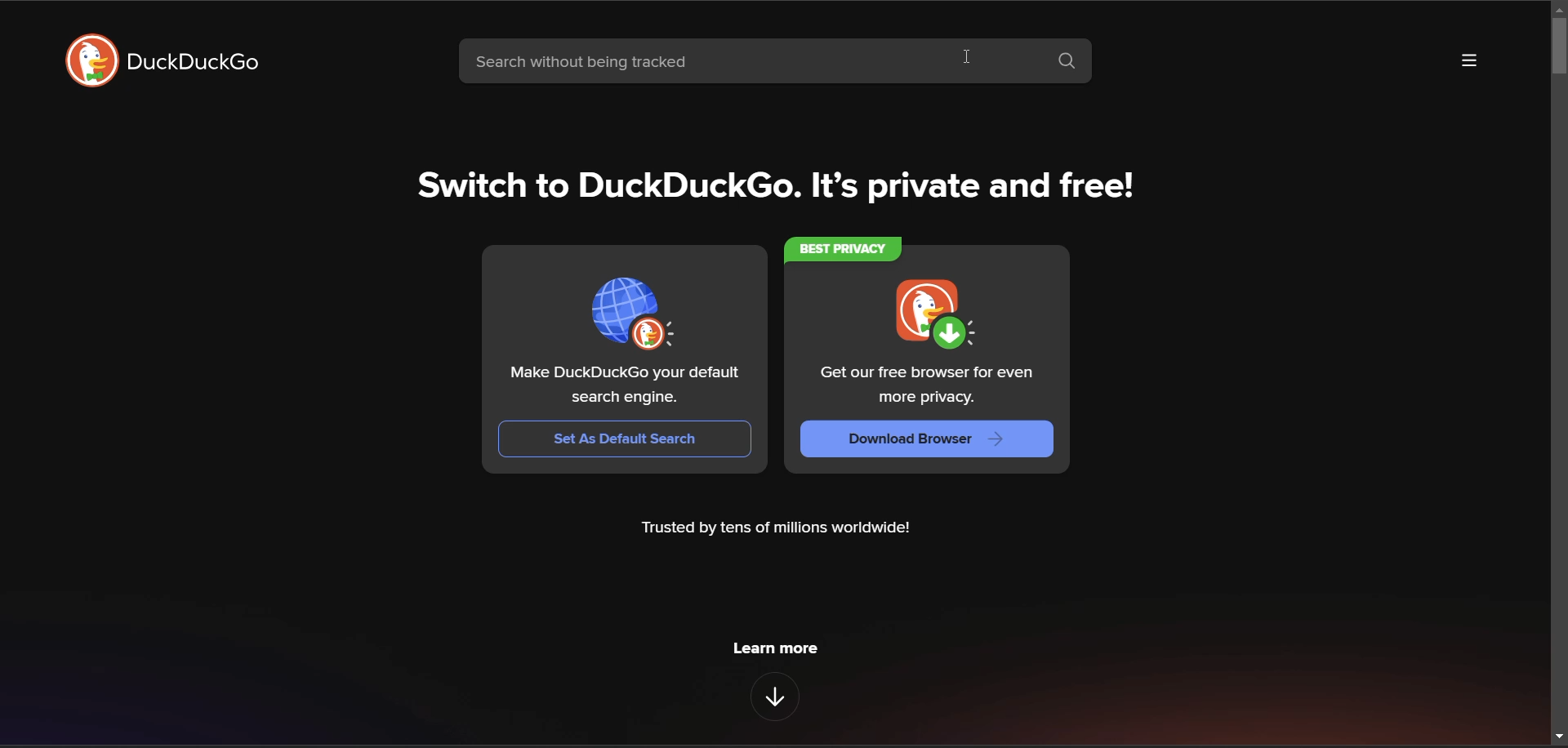 The image size is (1568, 748). I want to click on more options, so click(1469, 60).